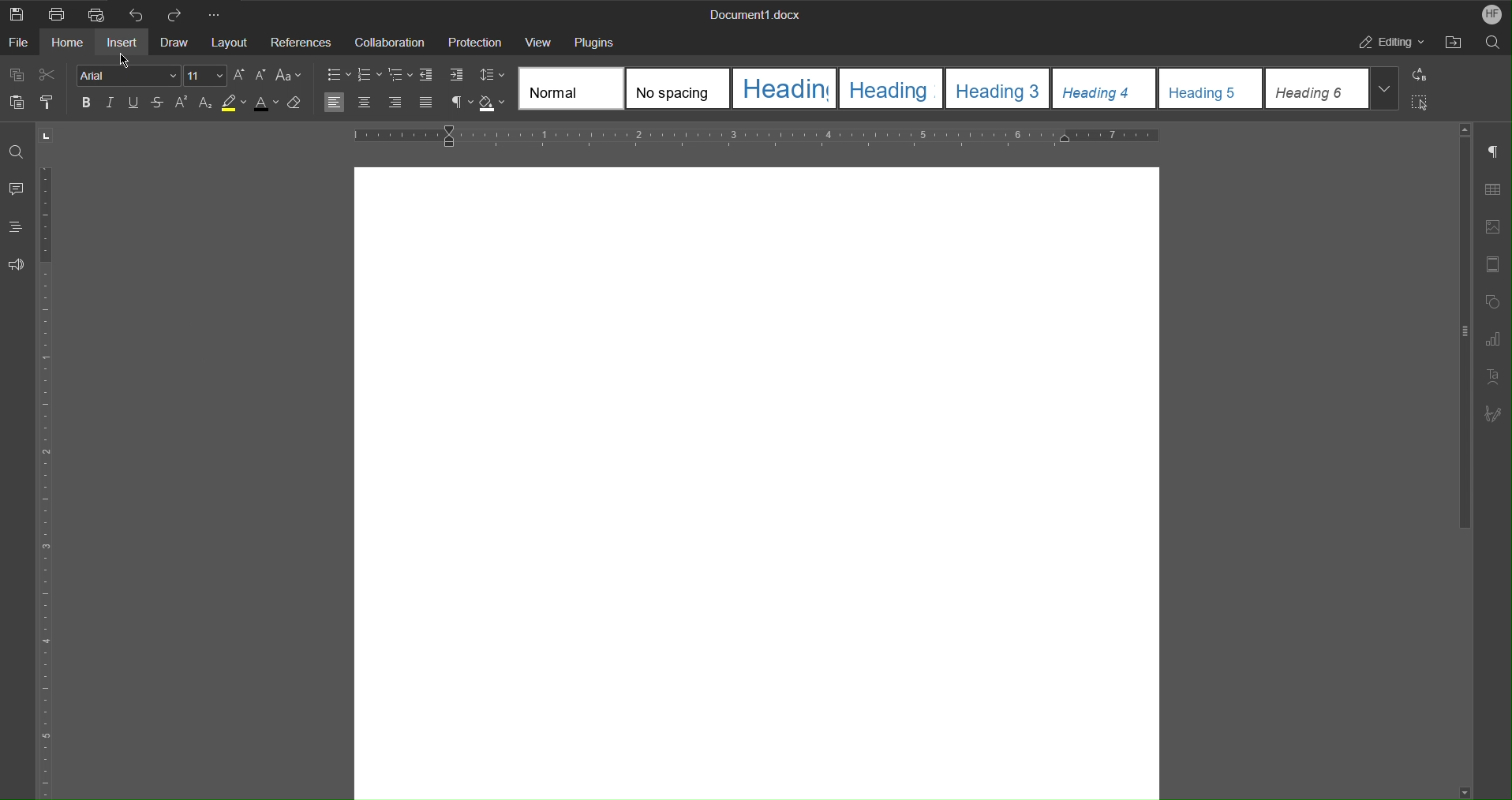  Describe the element at coordinates (174, 43) in the screenshot. I see `Draw` at that location.